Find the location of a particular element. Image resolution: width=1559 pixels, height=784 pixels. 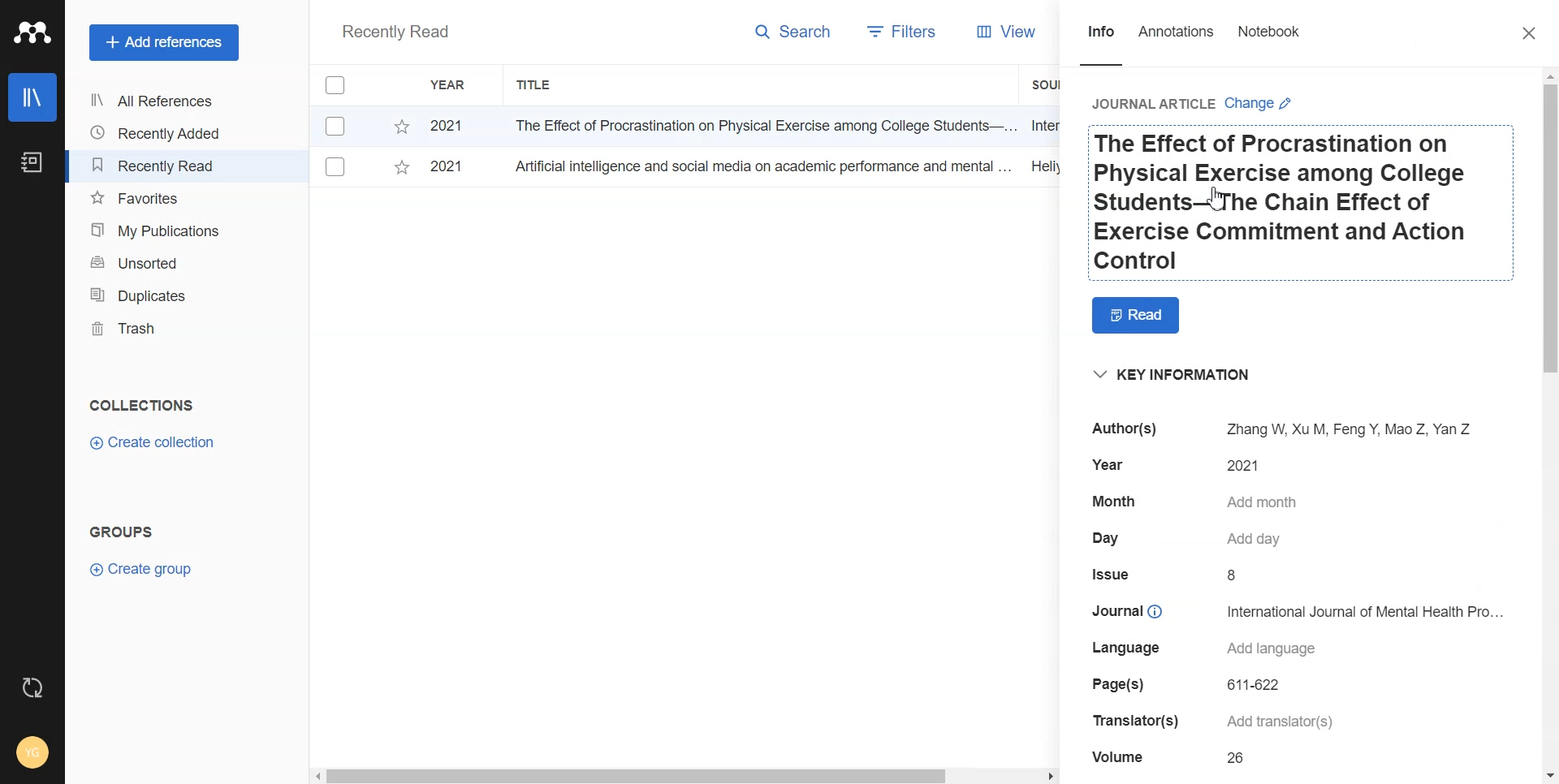

Artificial intelligence and social media on academic performance and mental ... is located at coordinates (760, 166).